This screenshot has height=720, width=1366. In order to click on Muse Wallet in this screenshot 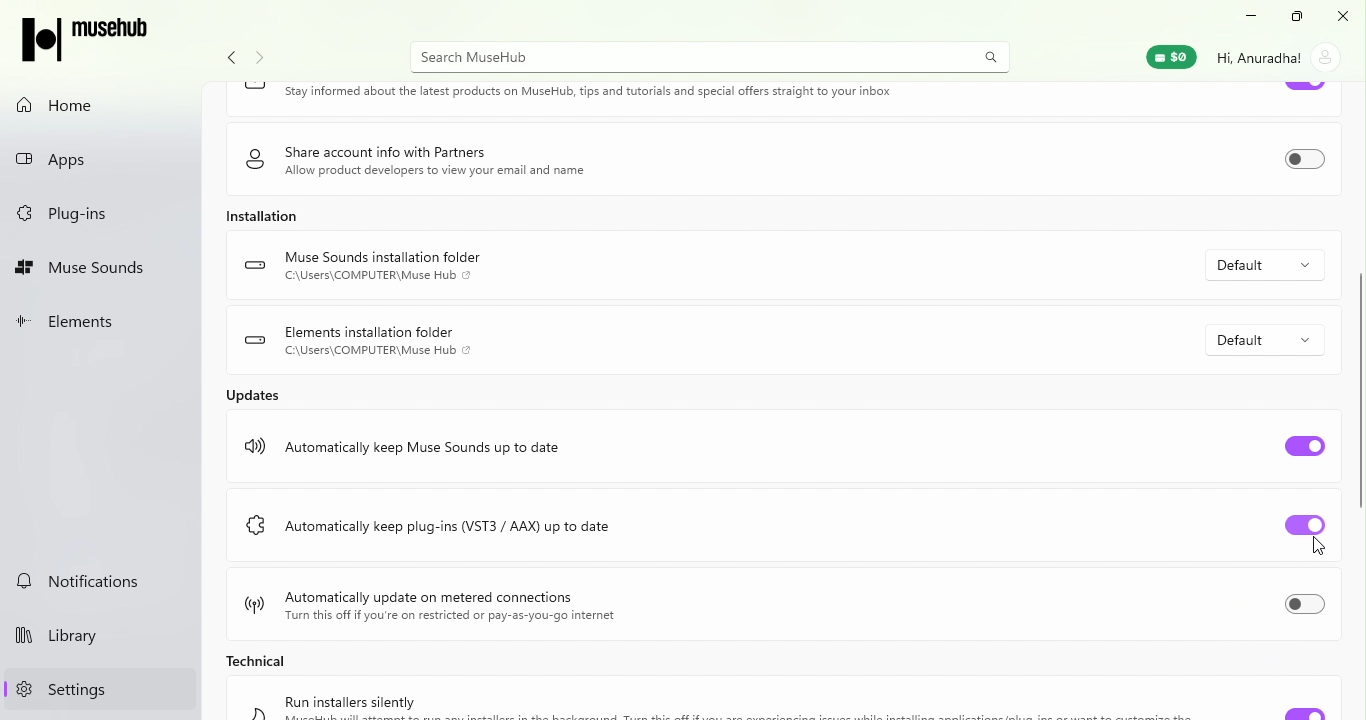, I will do `click(1170, 58)`.